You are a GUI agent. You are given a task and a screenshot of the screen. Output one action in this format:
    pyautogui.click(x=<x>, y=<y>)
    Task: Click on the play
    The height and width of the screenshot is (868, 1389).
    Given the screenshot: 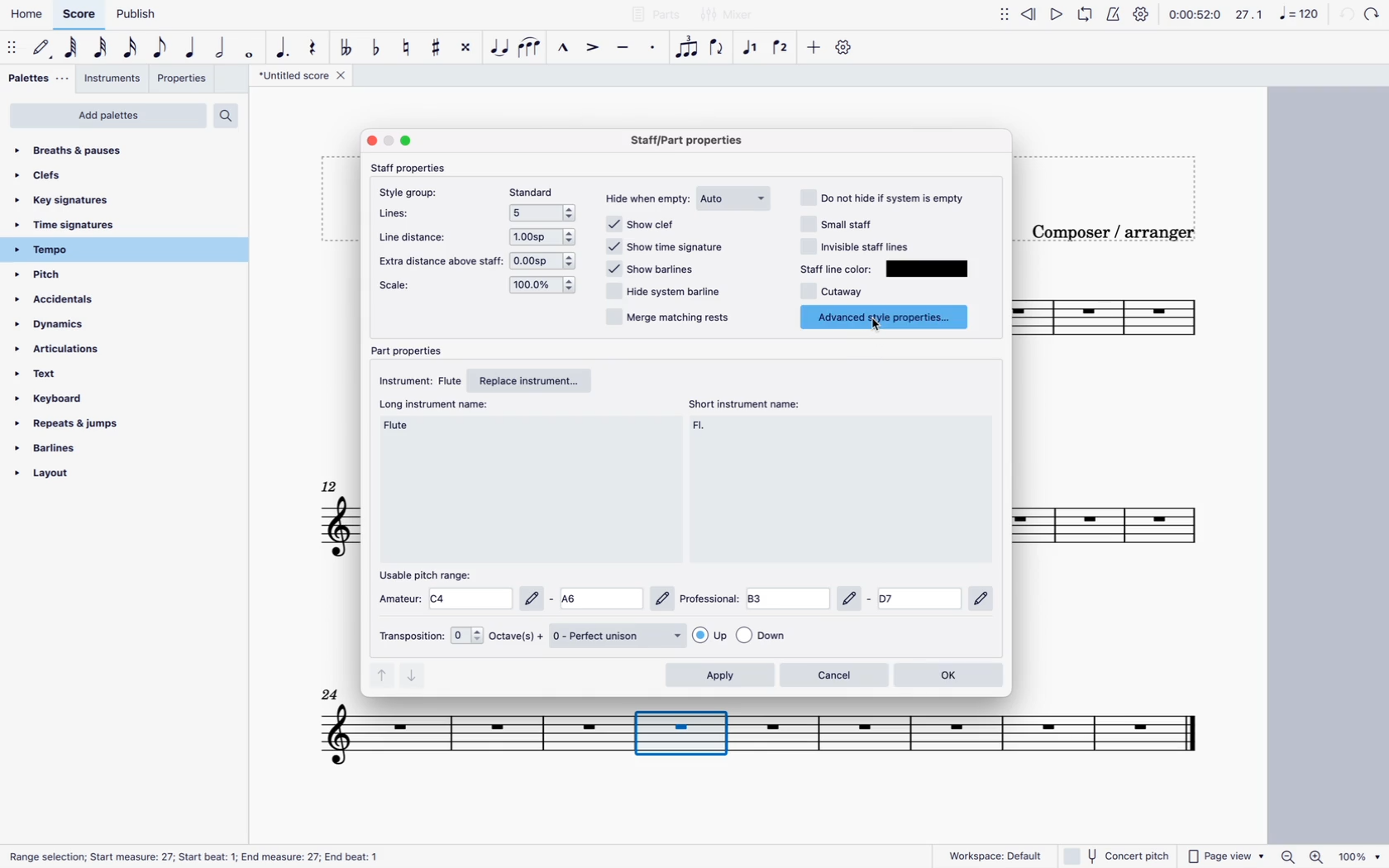 What is the action you would take?
    pyautogui.click(x=1055, y=14)
    